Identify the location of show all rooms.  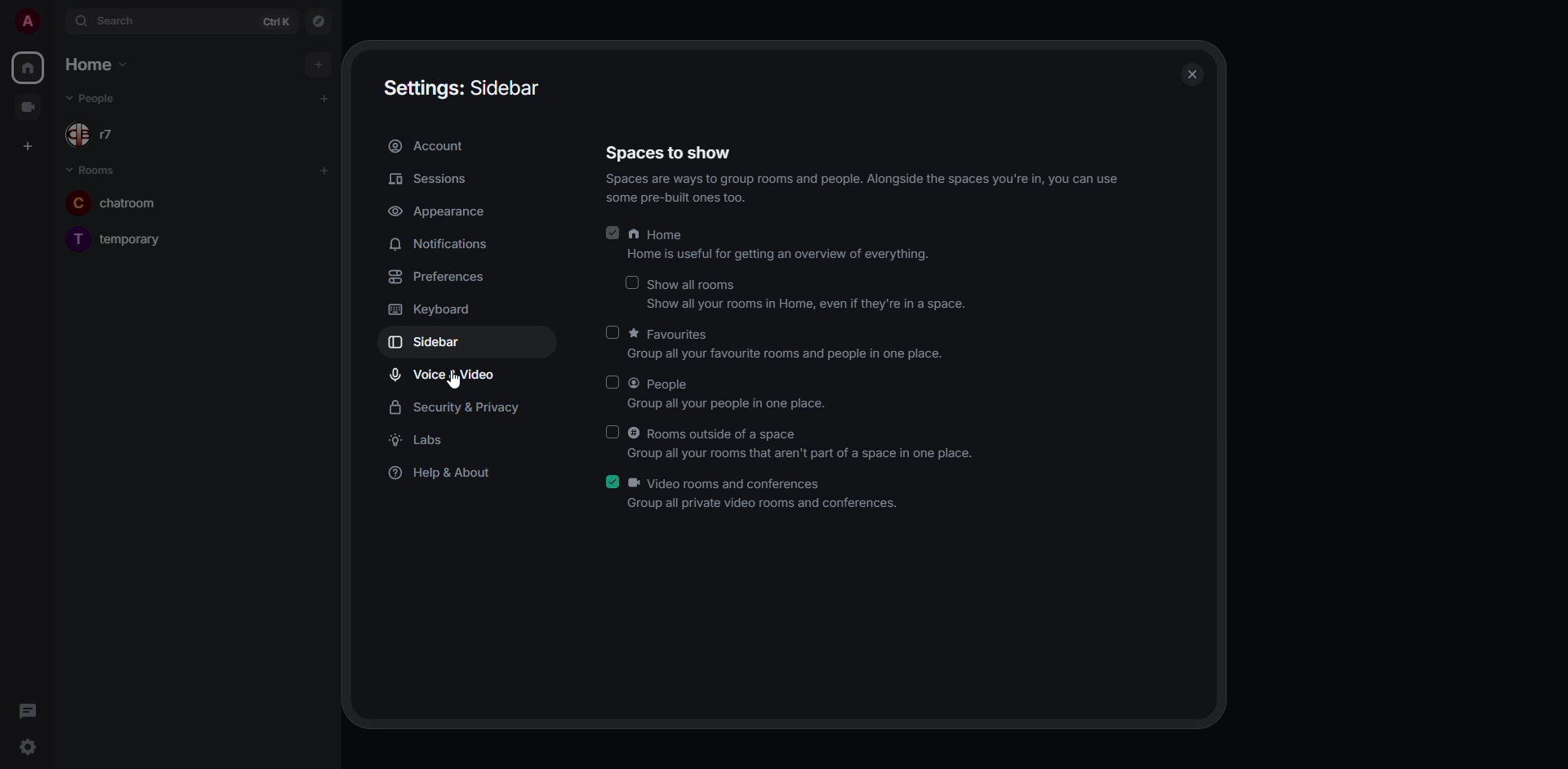
(807, 283).